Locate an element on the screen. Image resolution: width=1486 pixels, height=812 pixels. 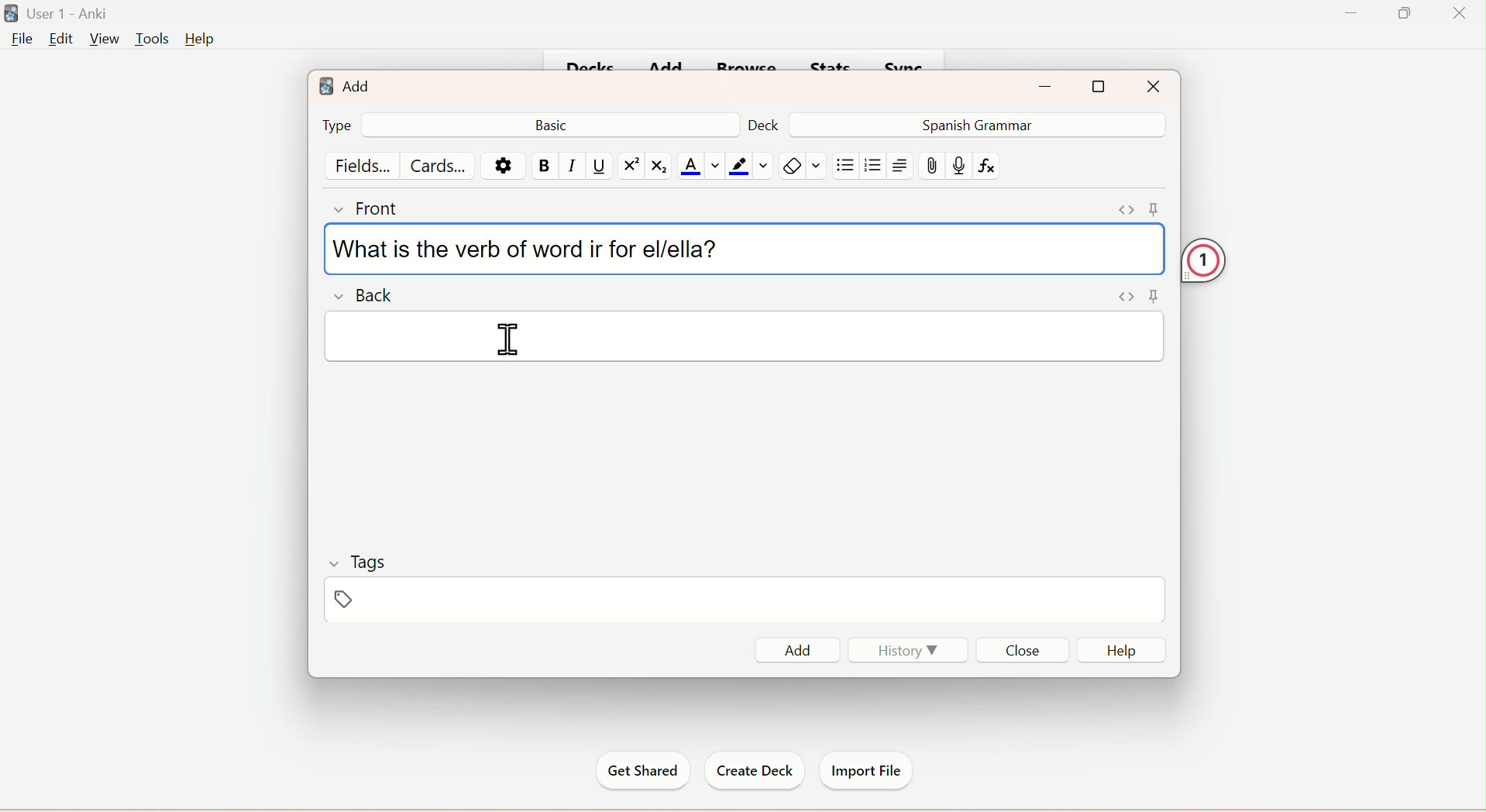
Minimize is located at coordinates (1354, 13).